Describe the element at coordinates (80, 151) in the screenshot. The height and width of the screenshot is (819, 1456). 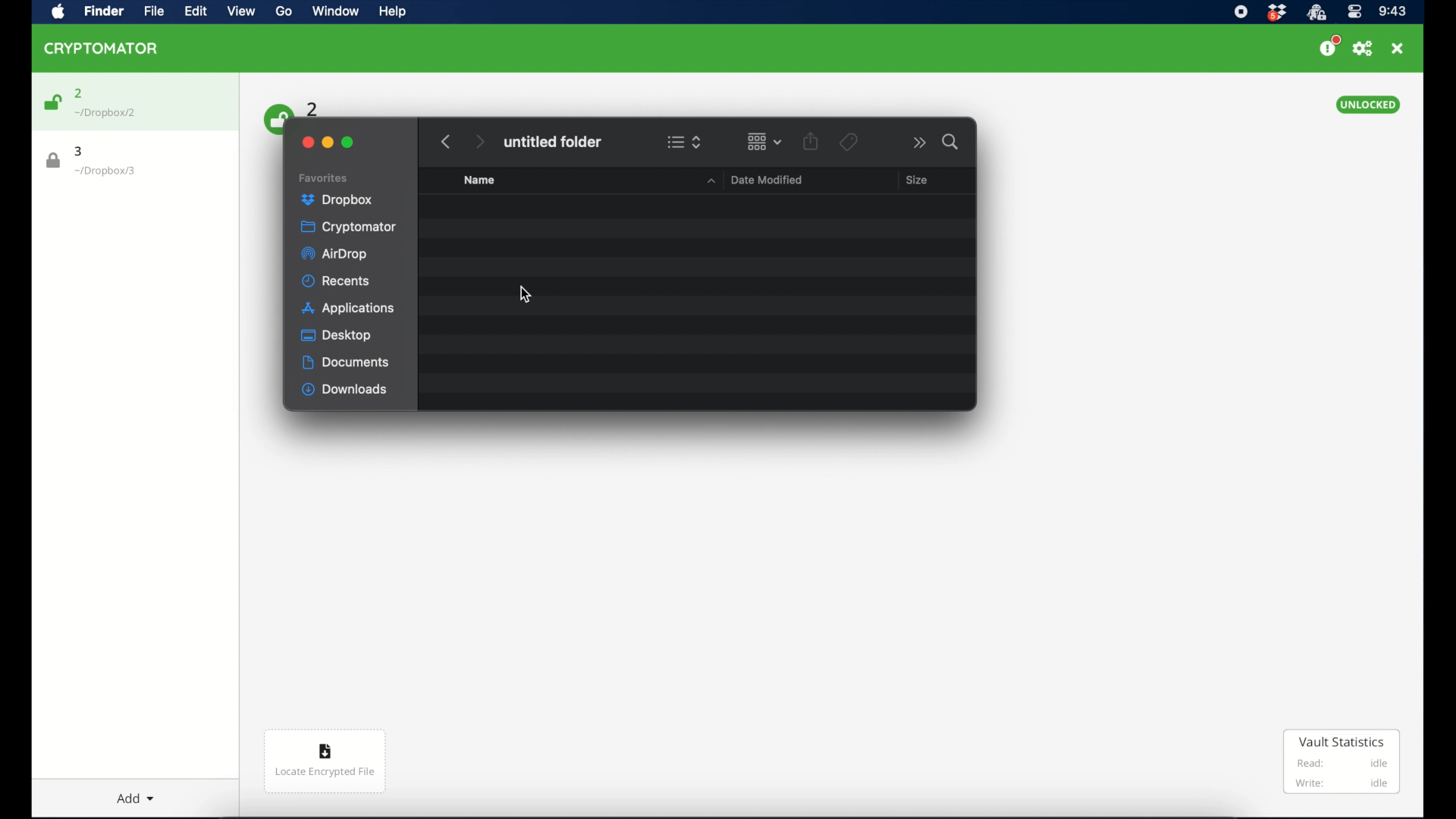
I see `3` at that location.